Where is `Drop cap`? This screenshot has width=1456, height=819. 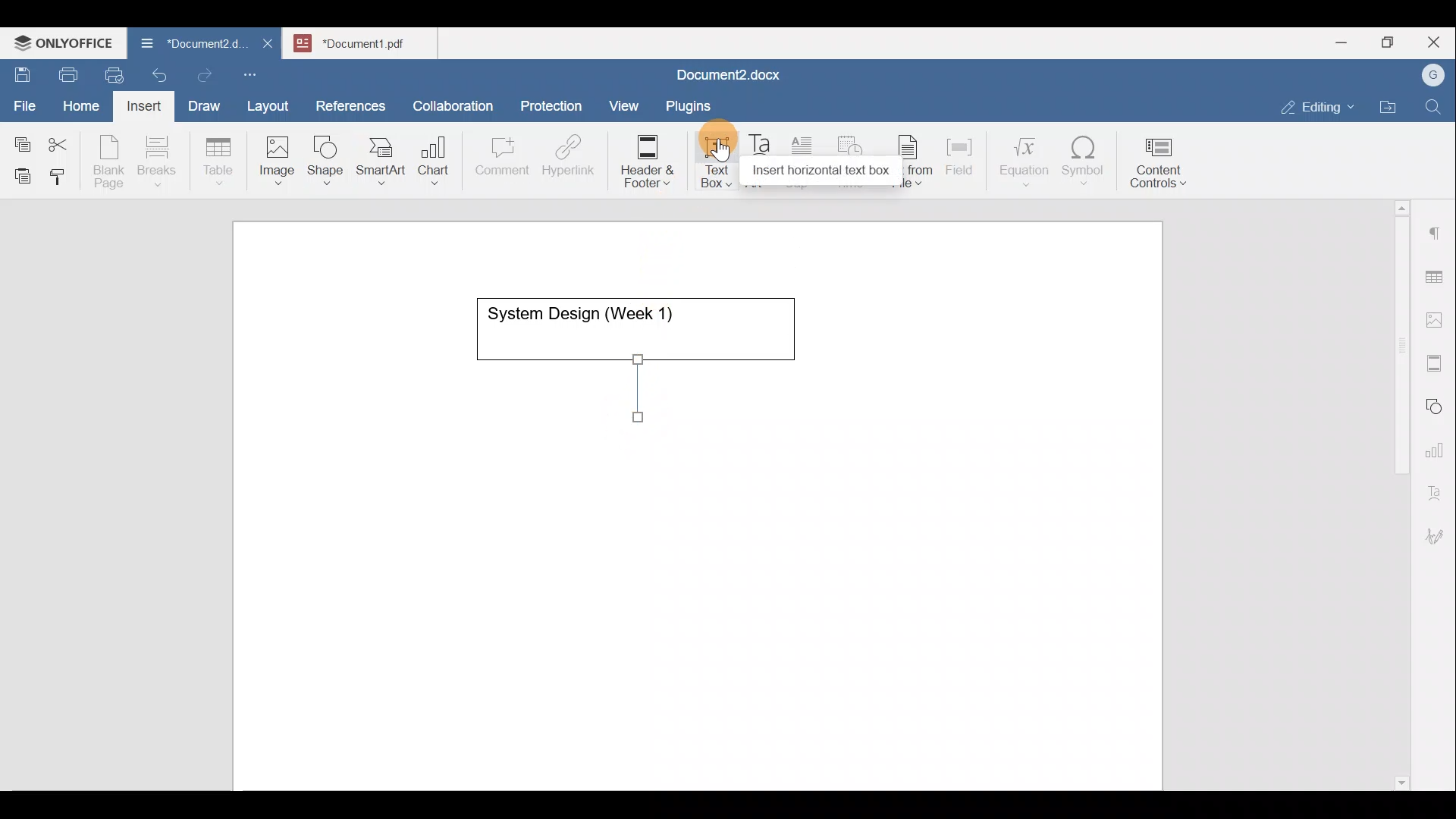 Drop cap is located at coordinates (805, 160).